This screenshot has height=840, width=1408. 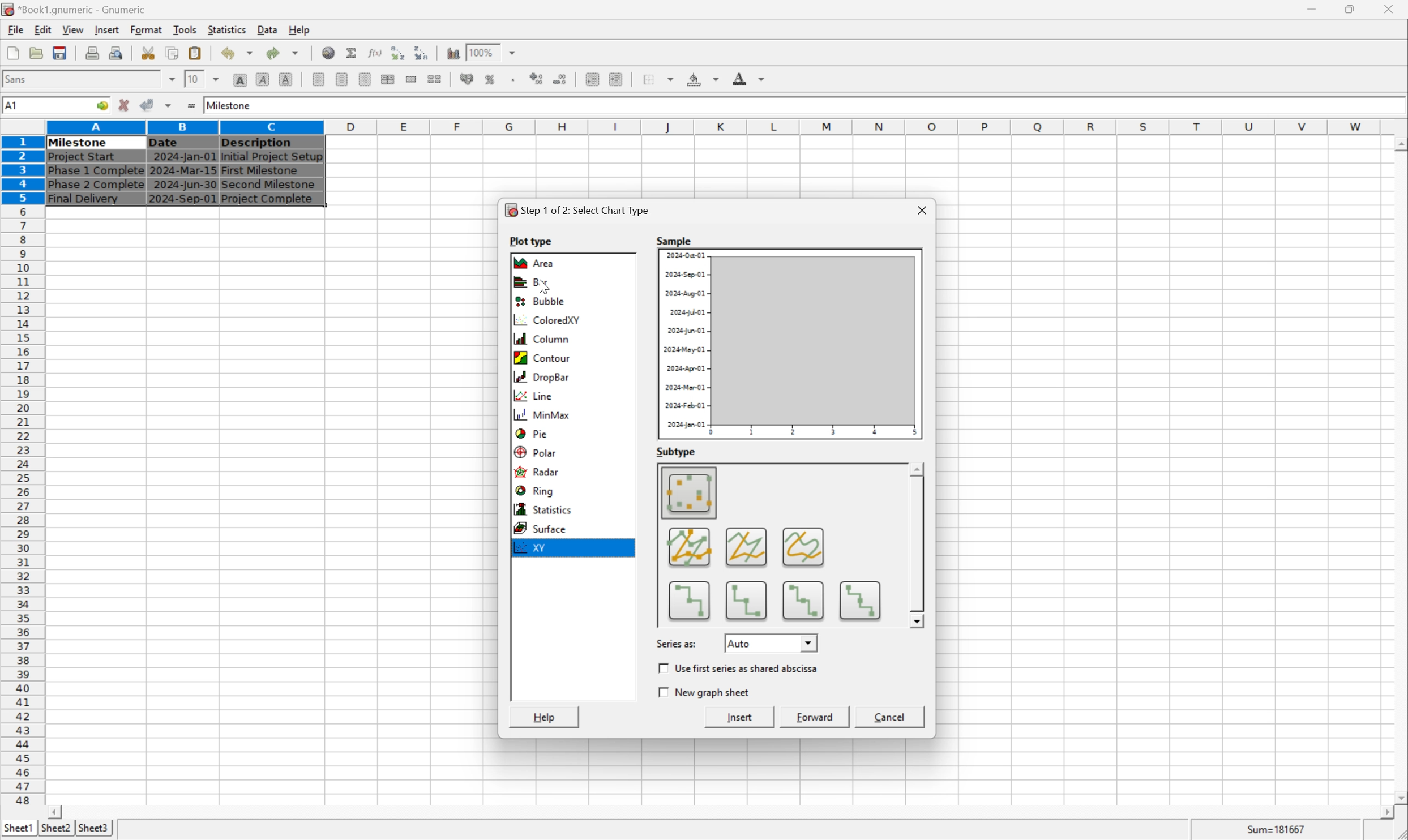 What do you see at coordinates (580, 210) in the screenshot?
I see `Step 1 of 2: Select chart type` at bounding box center [580, 210].